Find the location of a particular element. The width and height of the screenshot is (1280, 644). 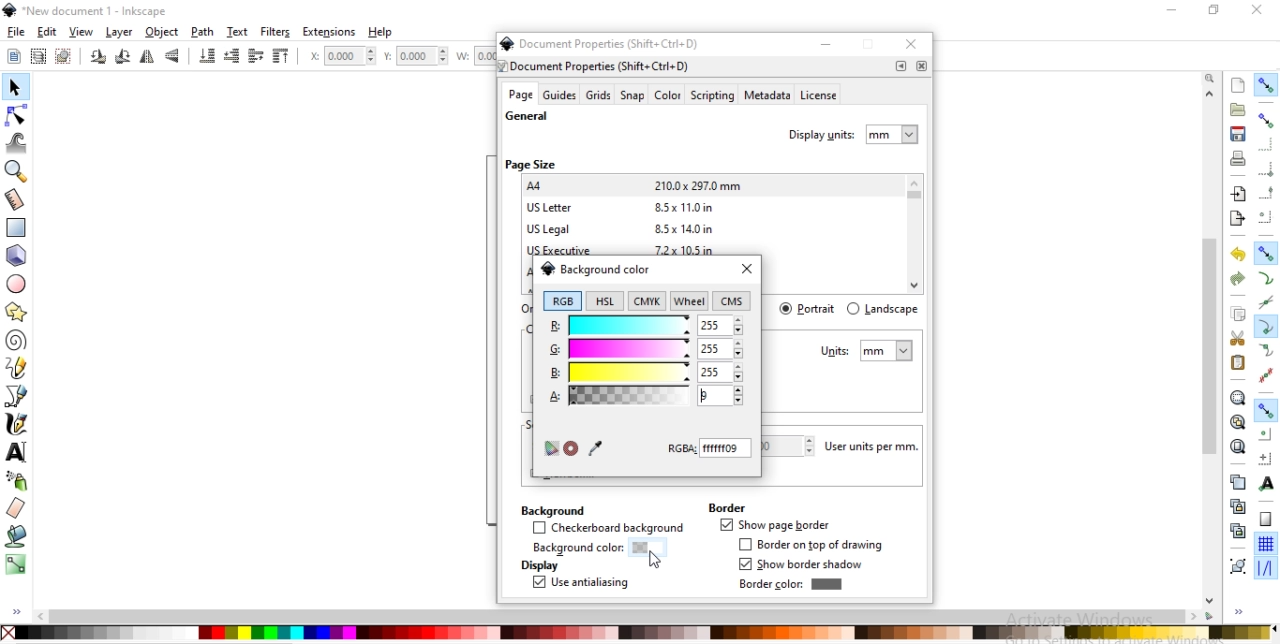

snap centers of objects is located at coordinates (1265, 434).